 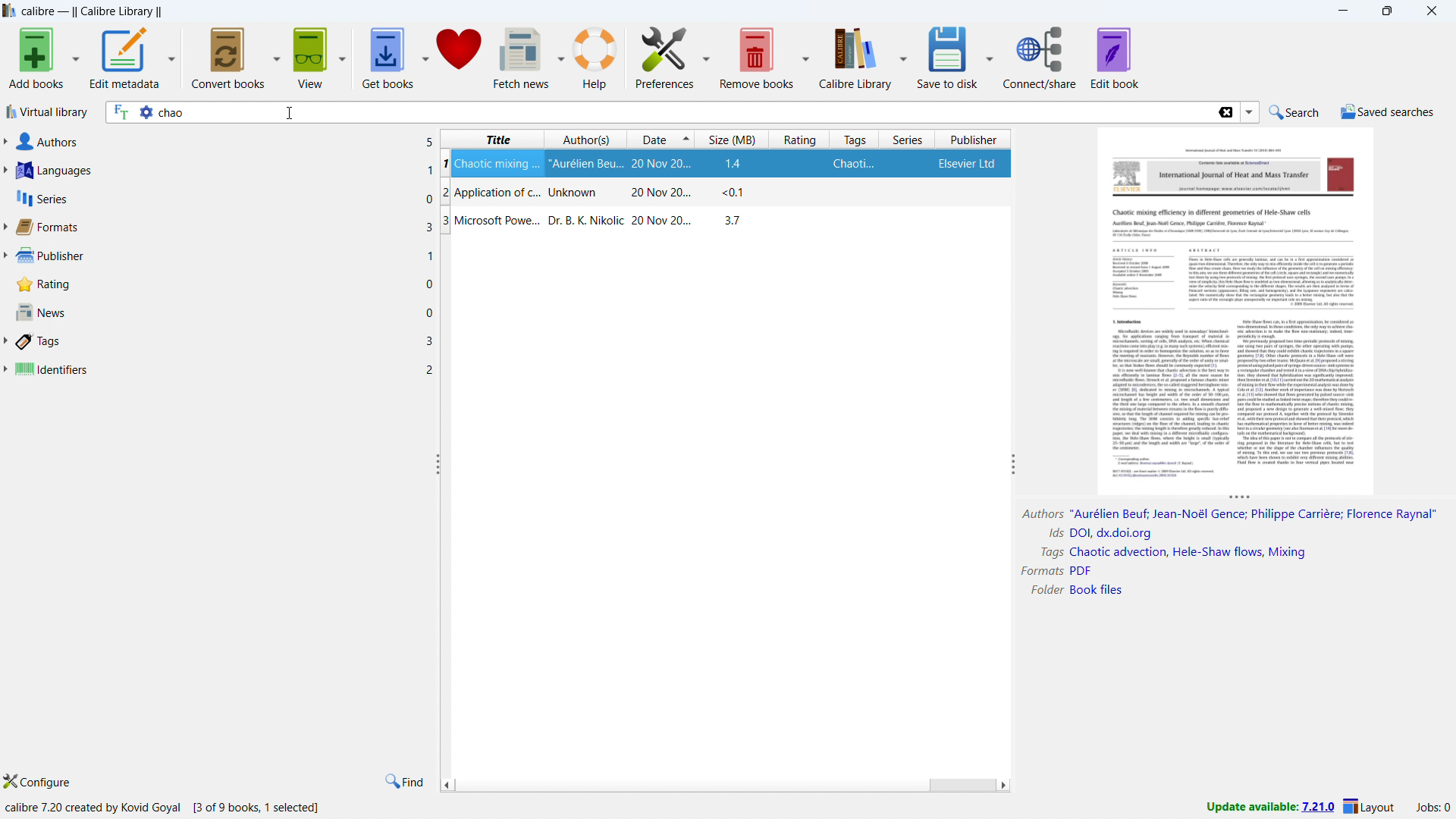 I want to click on saved searches menu, so click(x=1388, y=111).